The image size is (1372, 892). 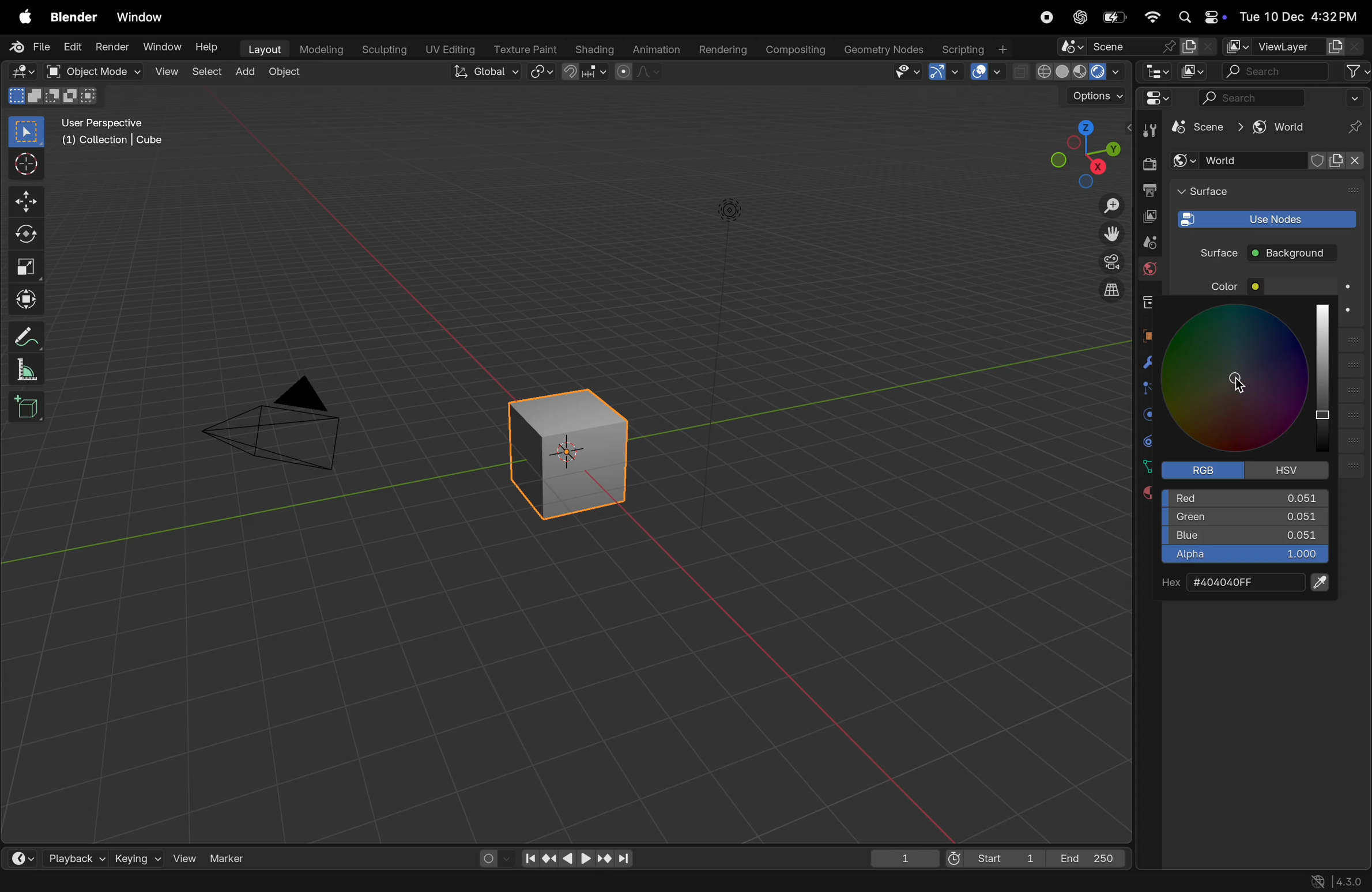 What do you see at coordinates (28, 406) in the screenshot?
I see `add cube` at bounding box center [28, 406].